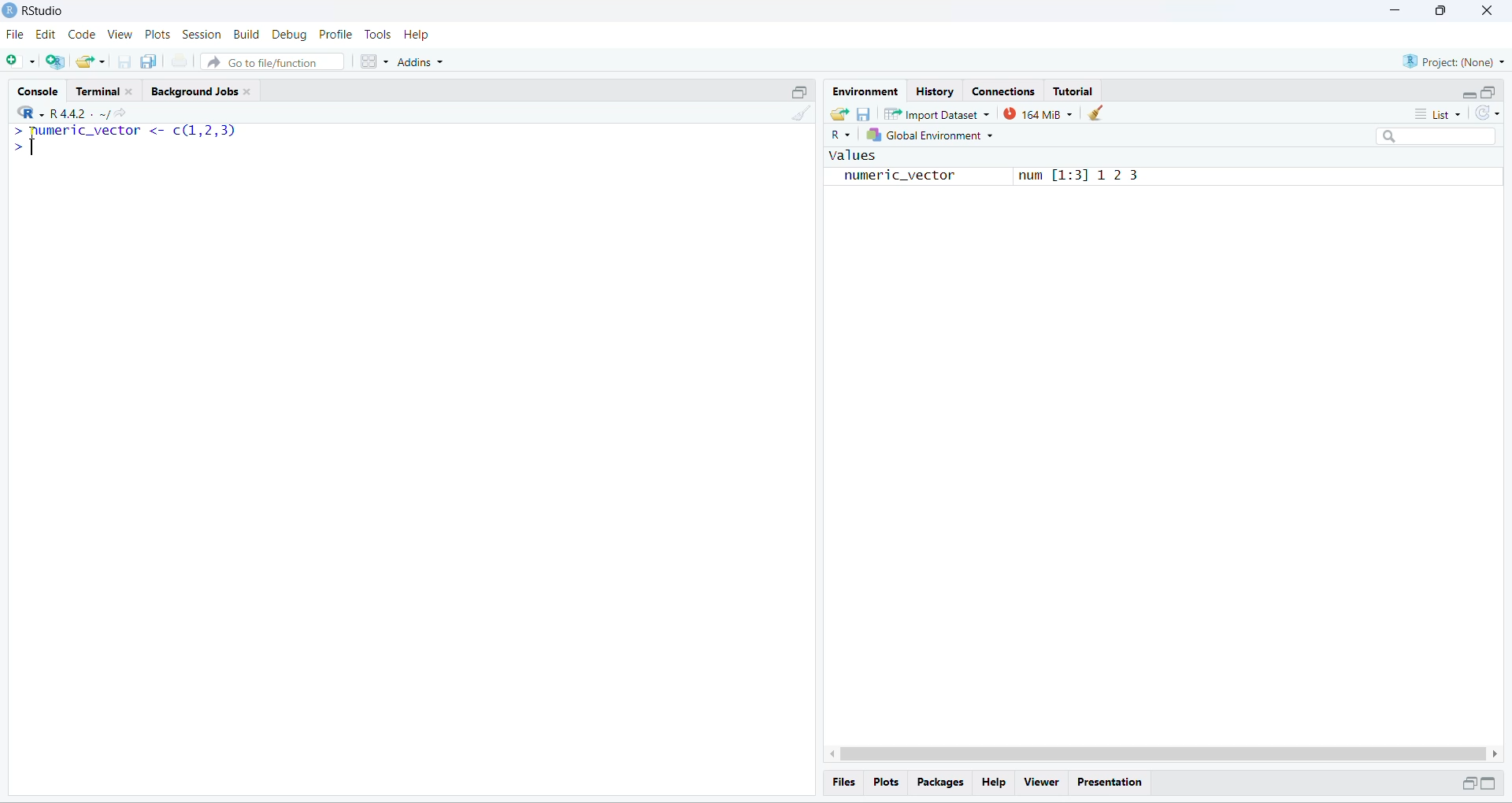 This screenshot has width=1512, height=803. Describe the element at coordinates (113, 116) in the screenshot. I see `share current directory` at that location.